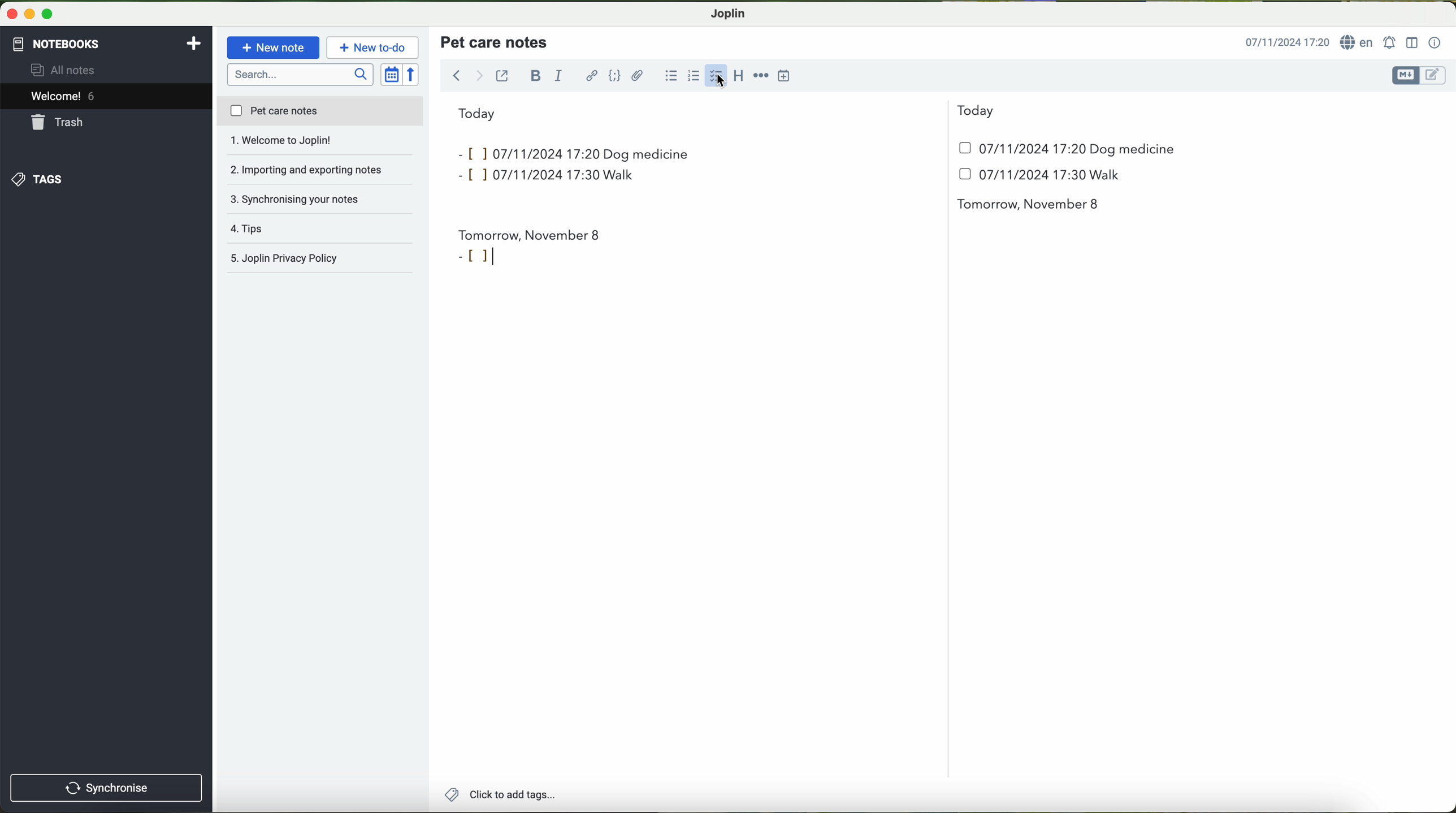 This screenshot has height=813, width=1456. What do you see at coordinates (320, 144) in the screenshot?
I see `importing and exporting notes` at bounding box center [320, 144].